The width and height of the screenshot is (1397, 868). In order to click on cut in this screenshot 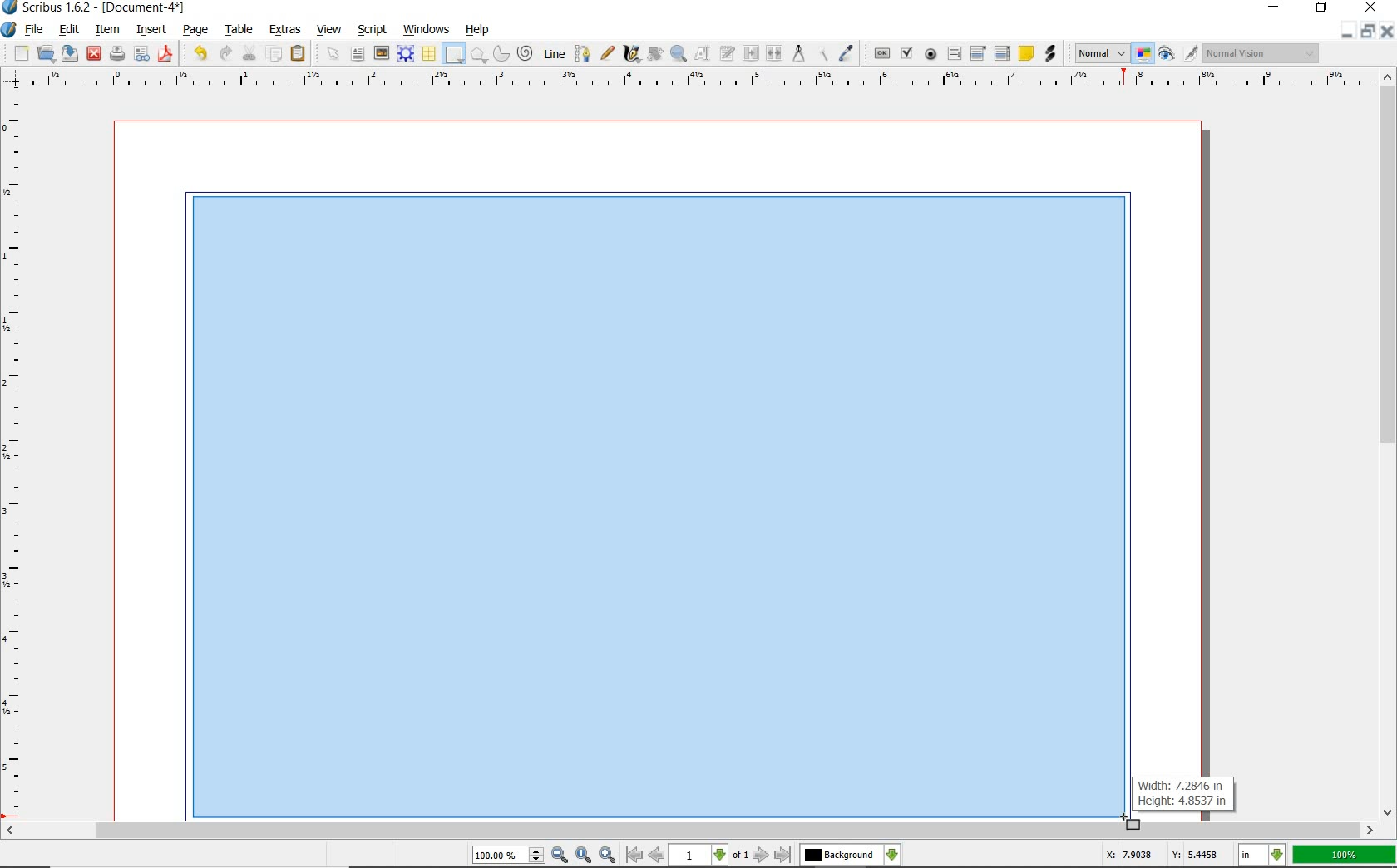, I will do `click(250, 52)`.